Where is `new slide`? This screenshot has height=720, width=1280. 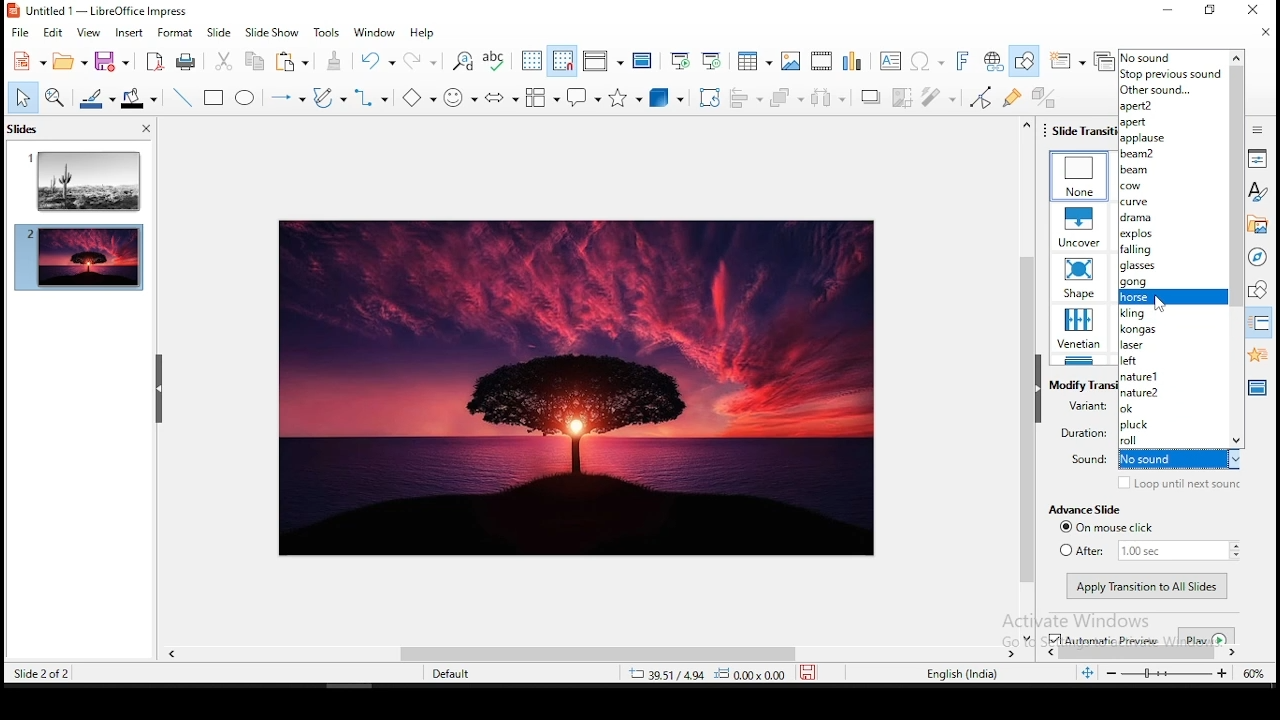
new slide is located at coordinates (1065, 61).